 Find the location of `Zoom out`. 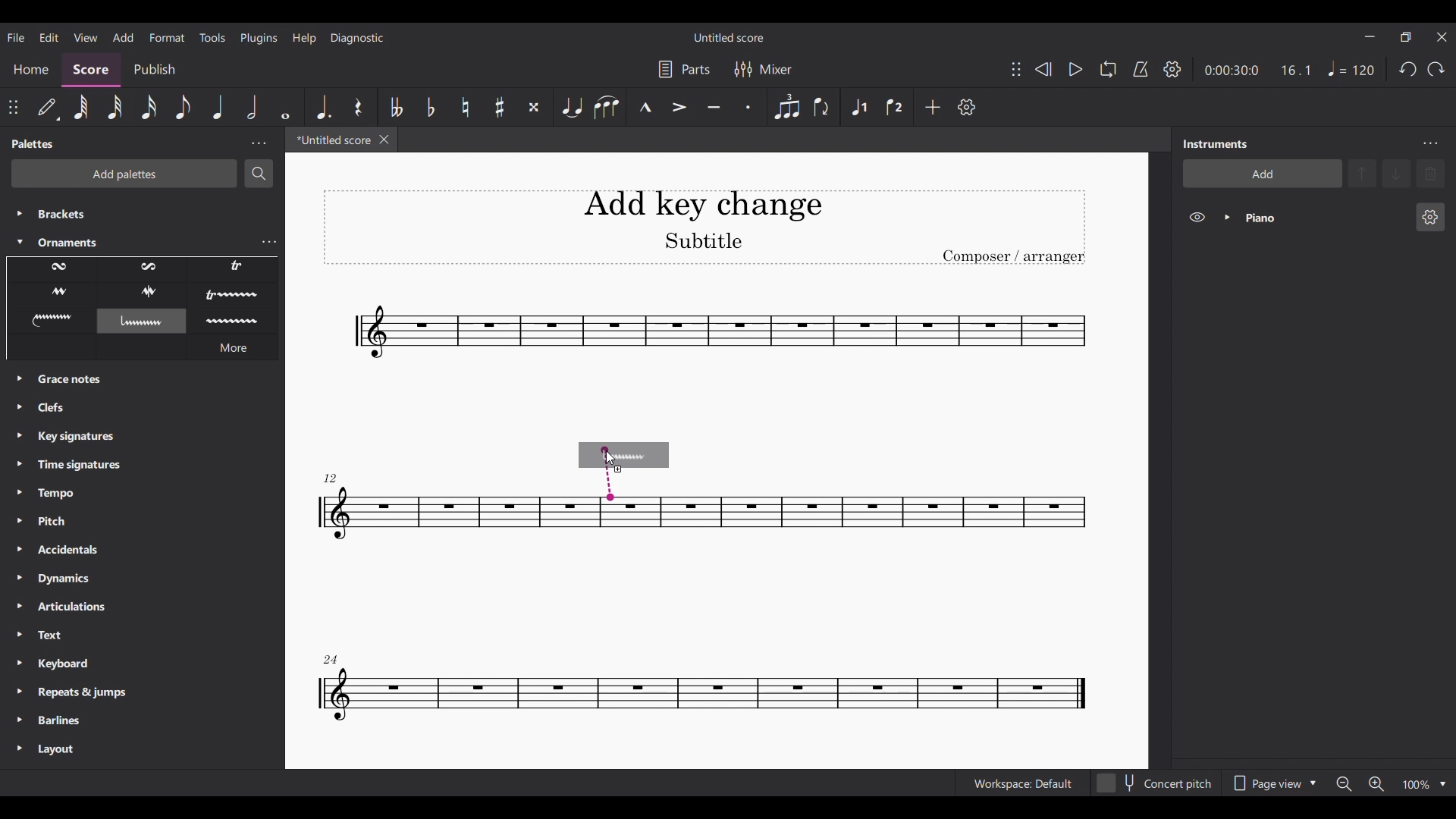

Zoom out is located at coordinates (1343, 783).